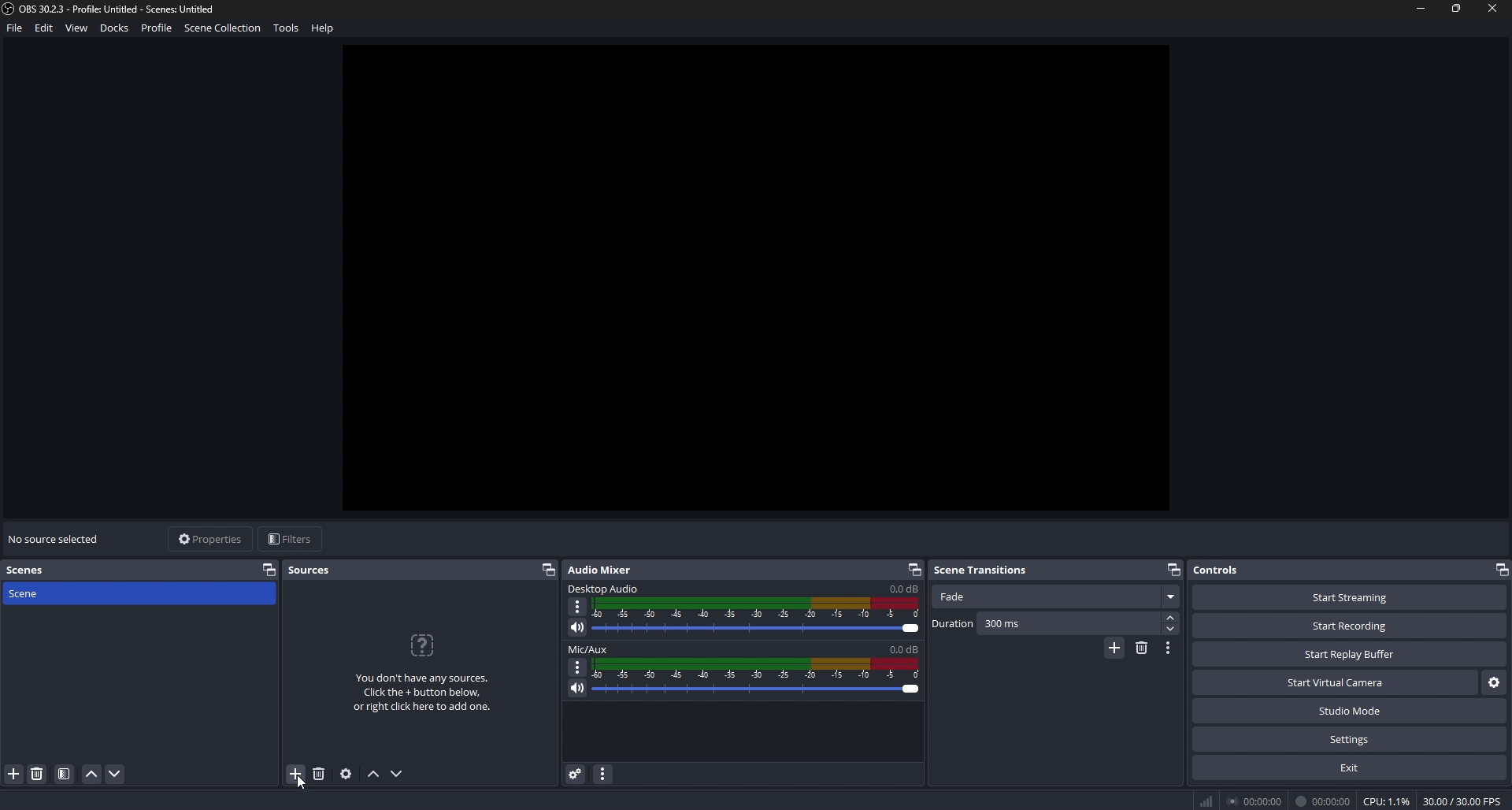 Image resolution: width=1512 pixels, height=810 pixels. What do you see at coordinates (1461, 802) in the screenshot?
I see `fps` at bounding box center [1461, 802].